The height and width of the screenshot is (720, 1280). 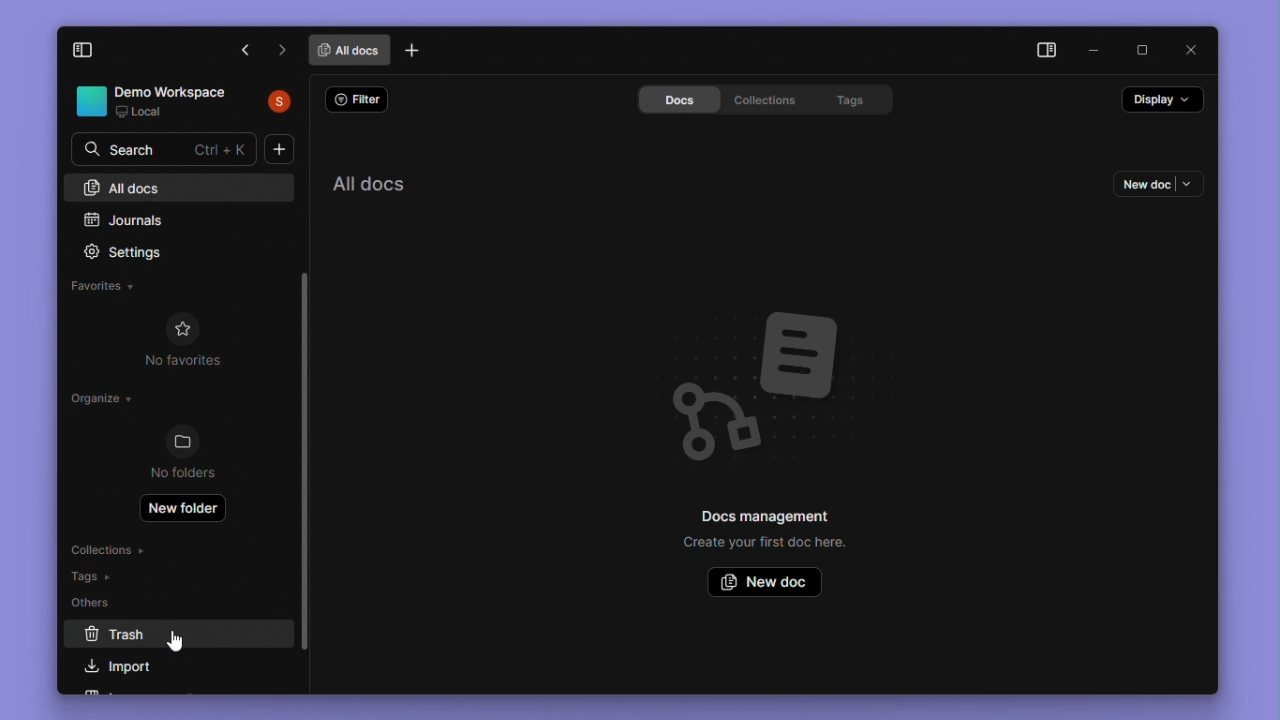 I want to click on Tags, so click(x=855, y=100).